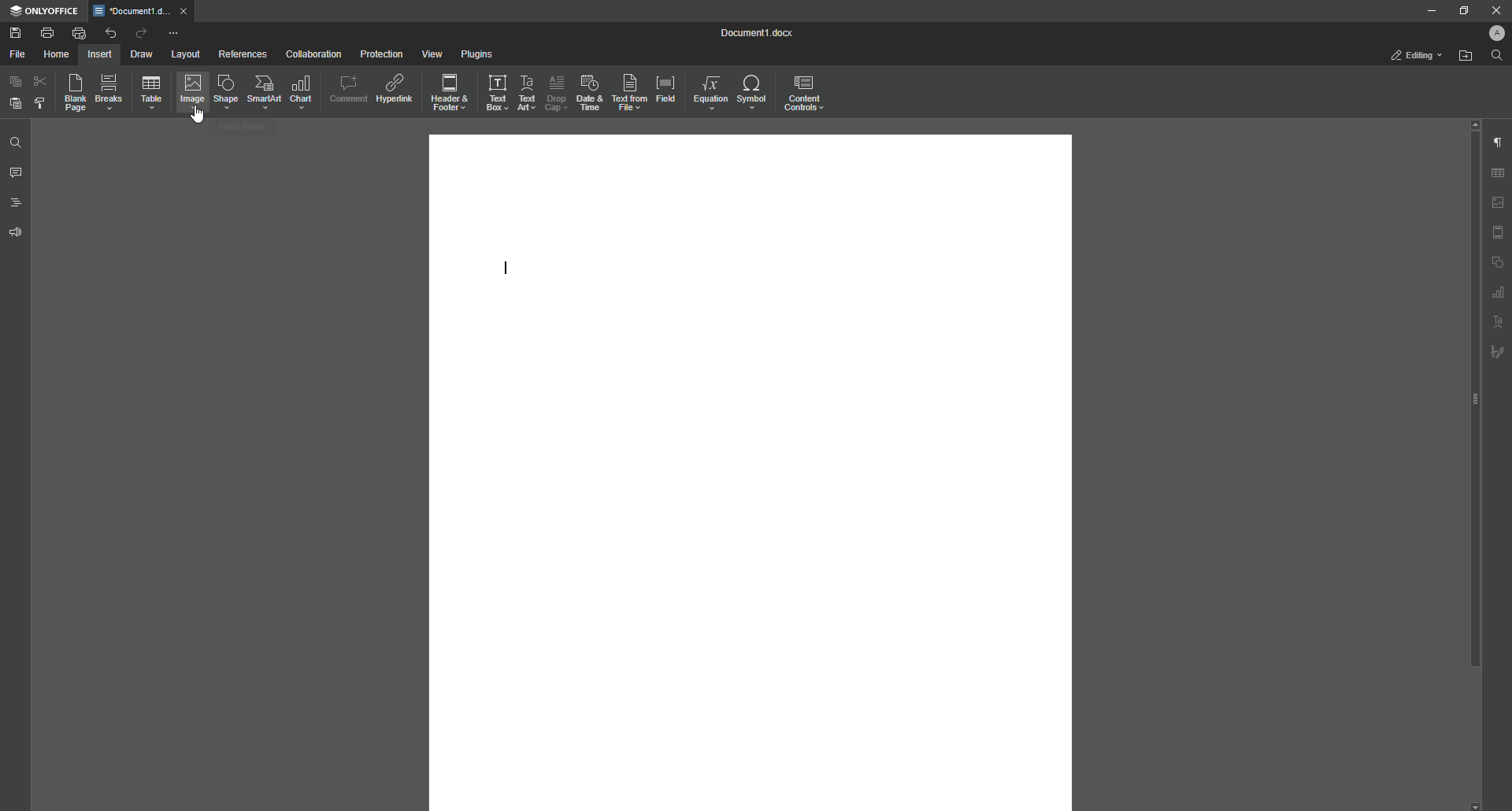 The image size is (1512, 811). I want to click on Close, so click(1493, 10).